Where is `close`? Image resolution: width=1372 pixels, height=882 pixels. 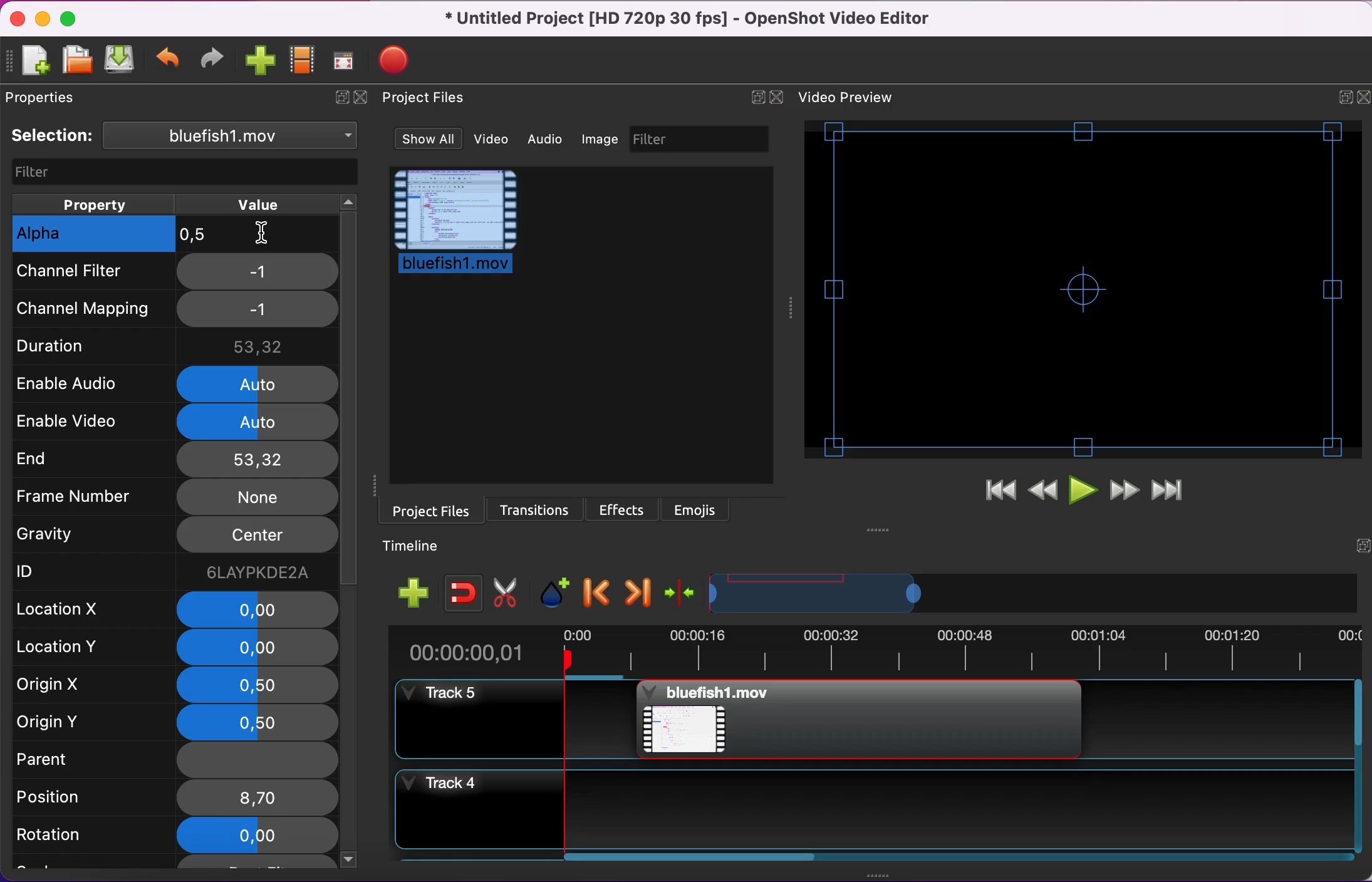
close is located at coordinates (783, 98).